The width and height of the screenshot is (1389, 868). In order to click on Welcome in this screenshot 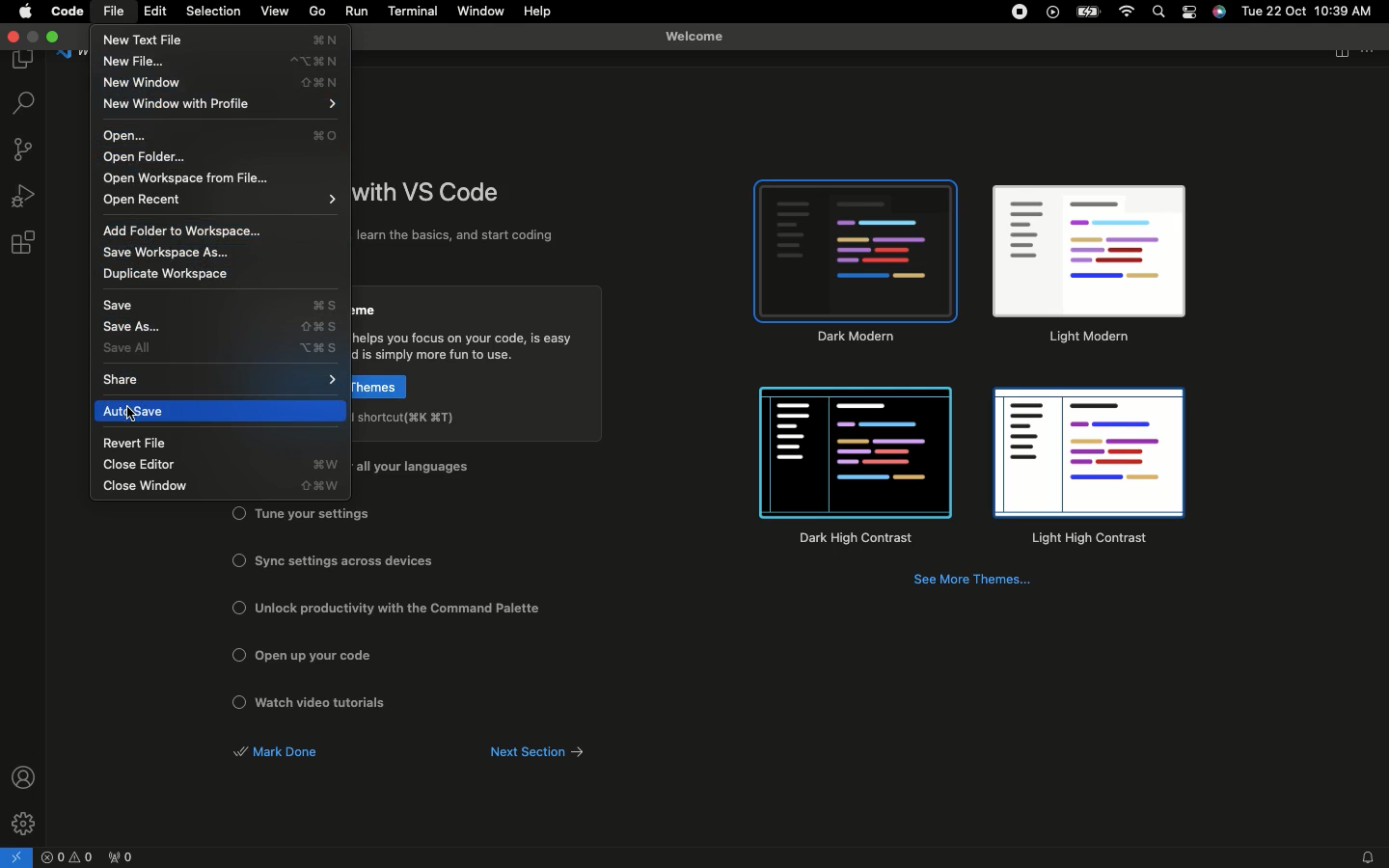, I will do `click(700, 32)`.